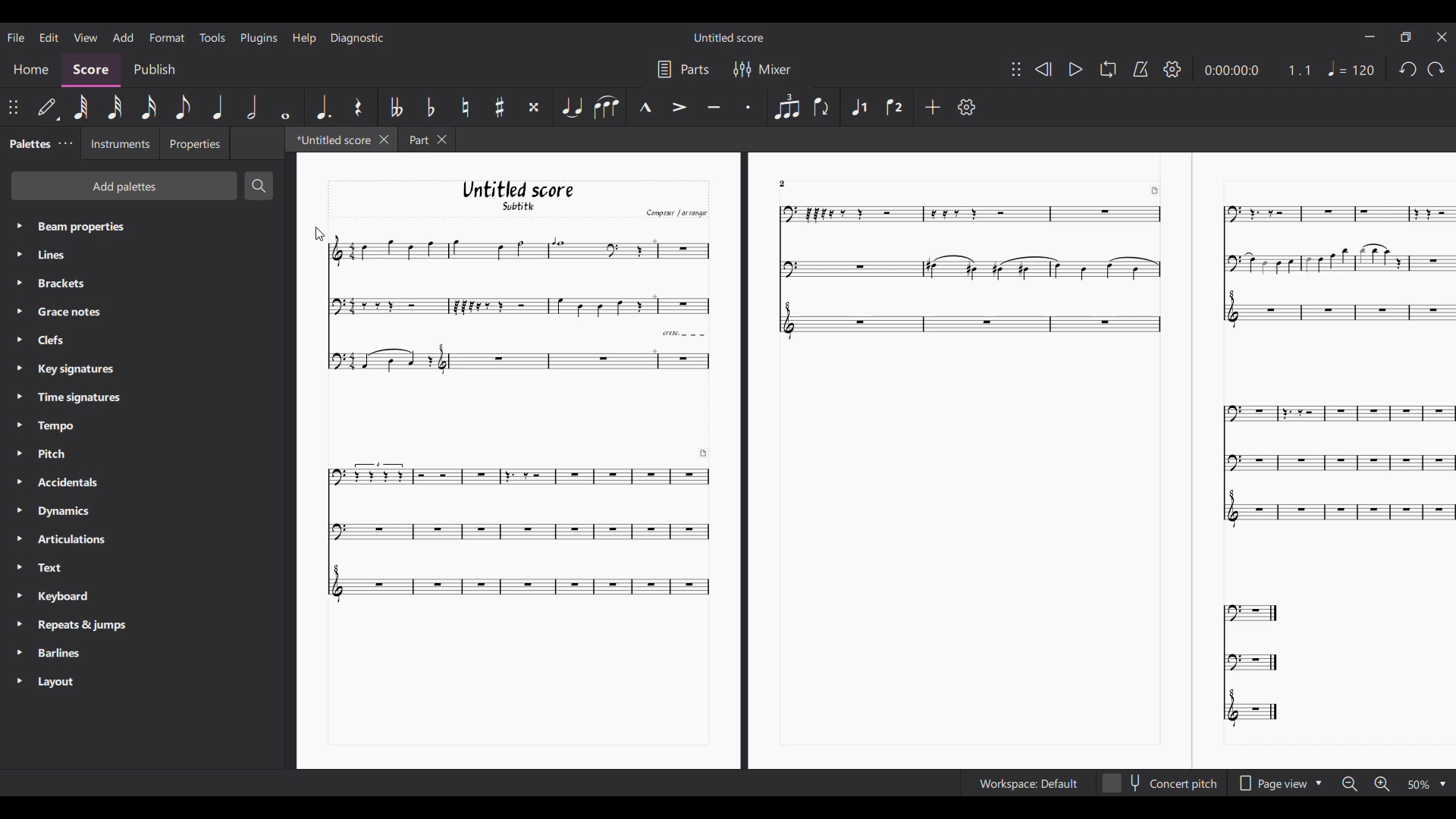  I want to click on , so click(973, 215).